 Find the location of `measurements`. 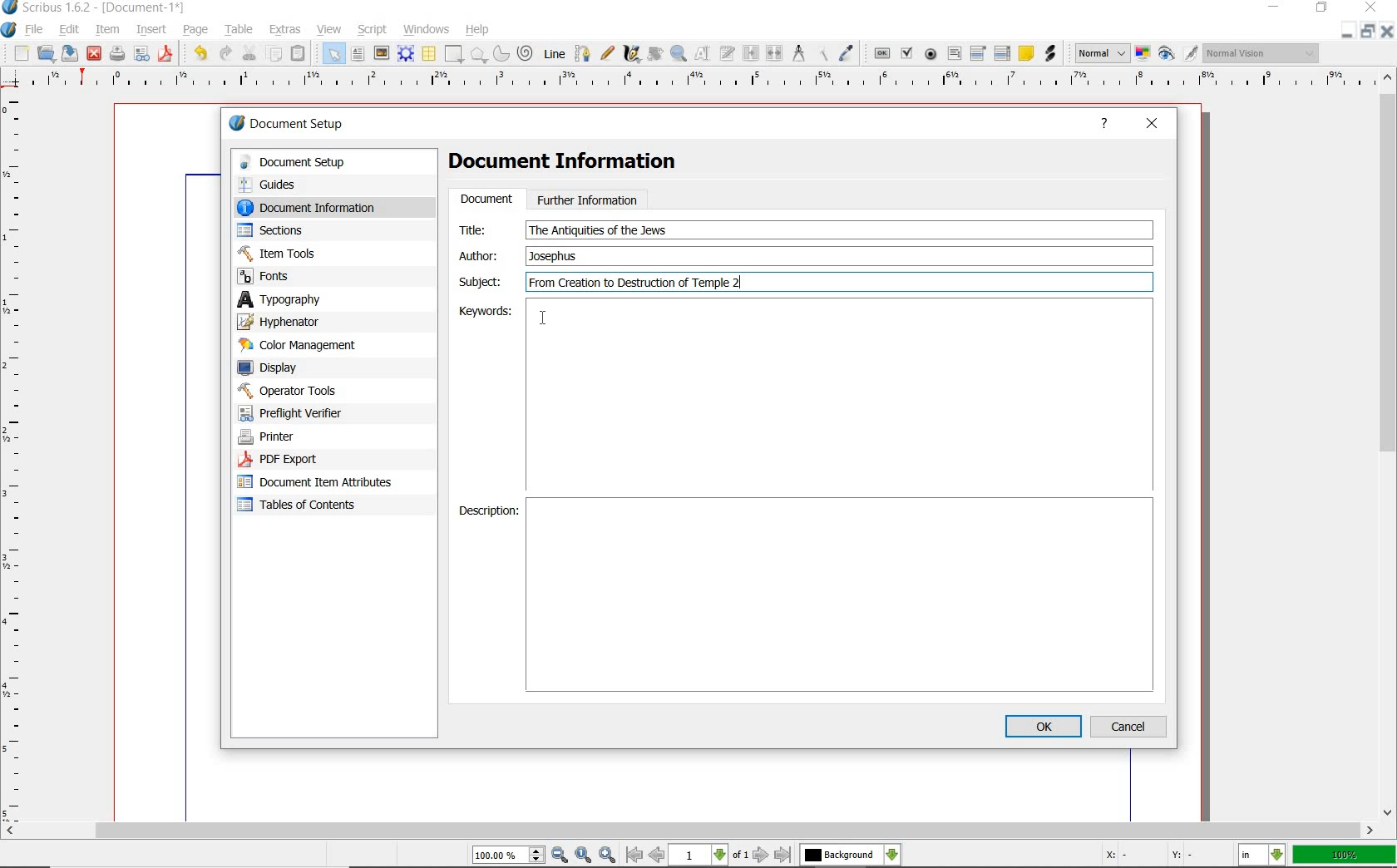

measurements is located at coordinates (797, 53).